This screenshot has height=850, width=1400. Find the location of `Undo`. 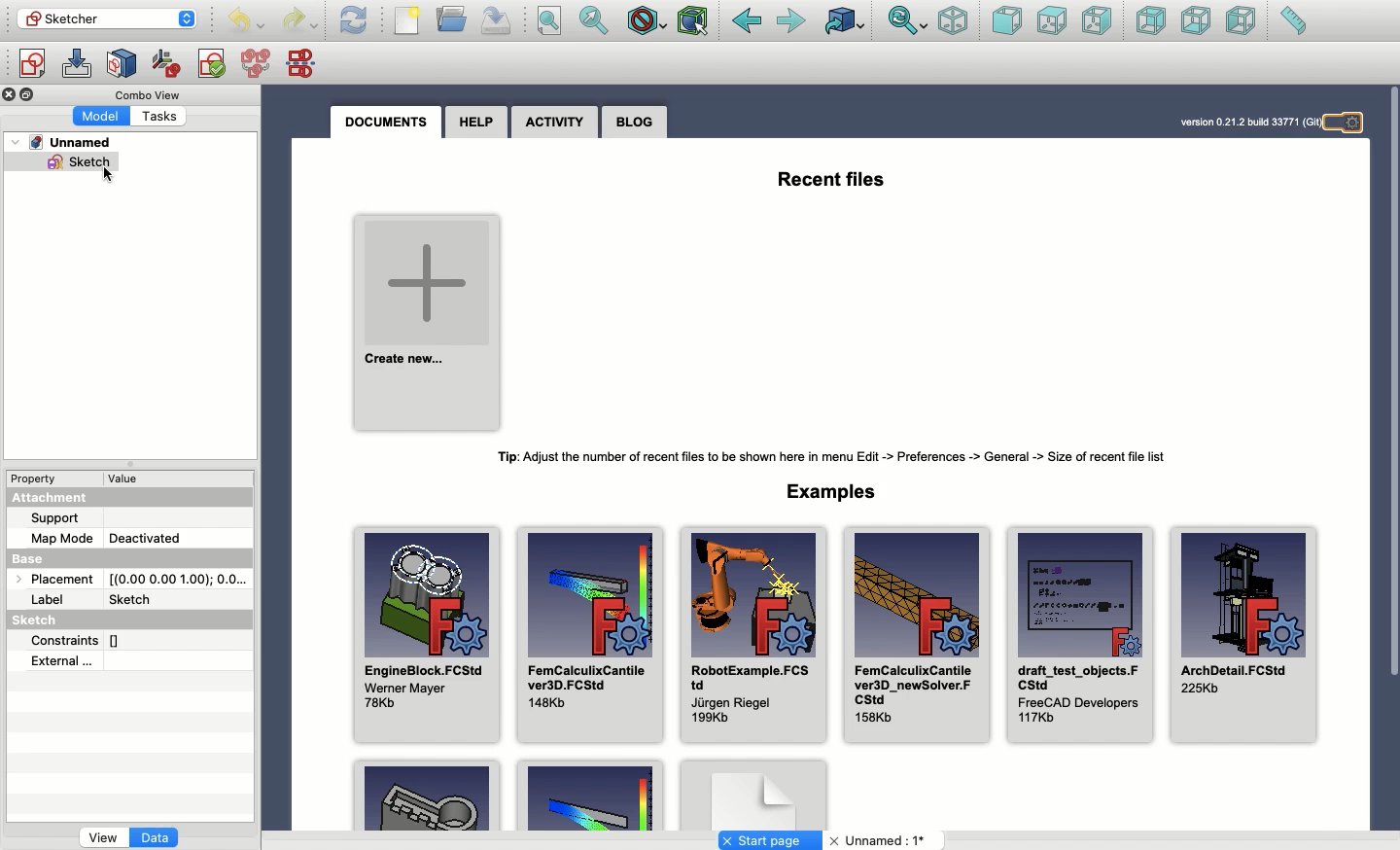

Undo is located at coordinates (246, 22).